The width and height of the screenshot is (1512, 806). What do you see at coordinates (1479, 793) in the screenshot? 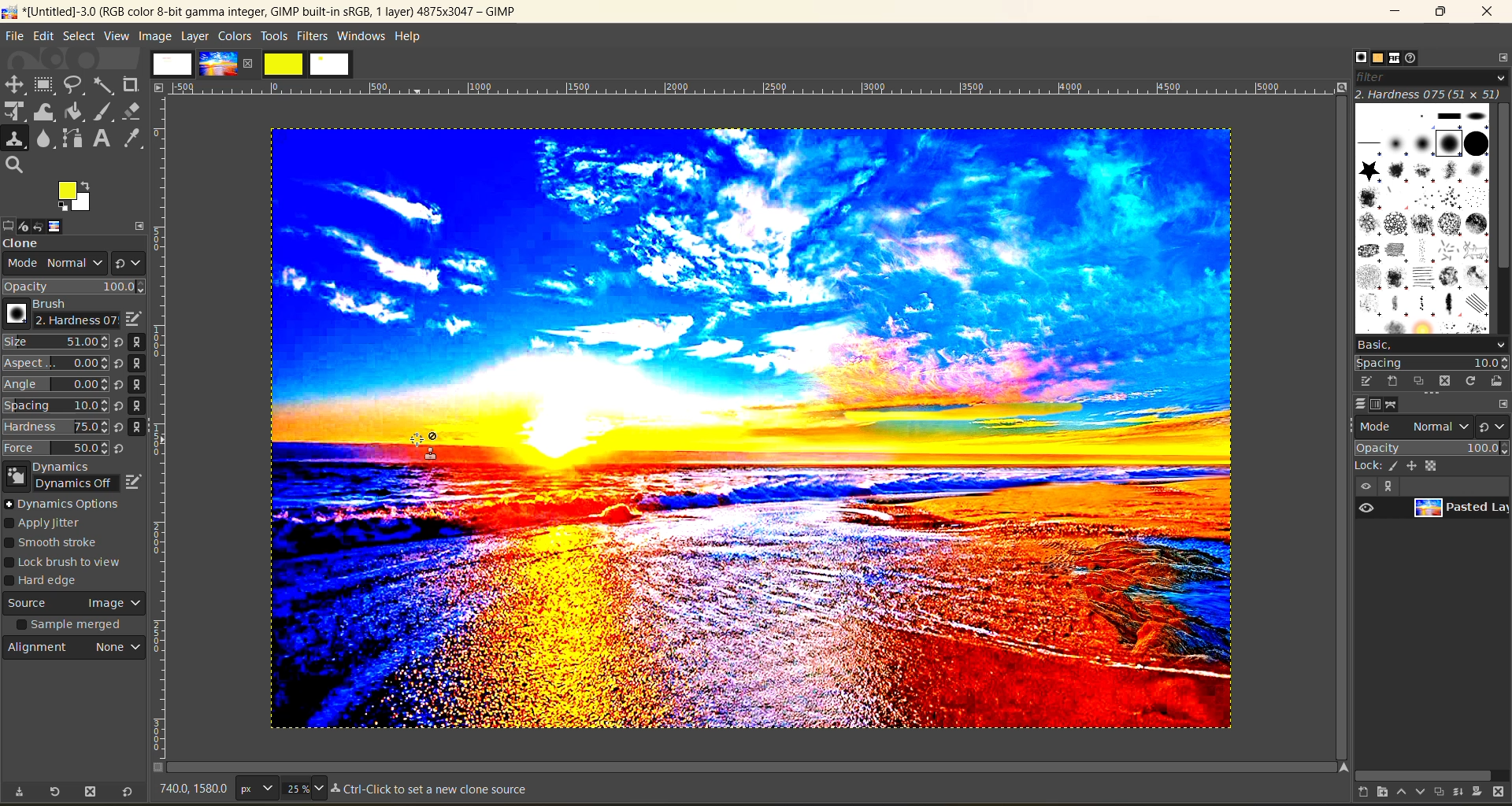
I see `add a mask` at bounding box center [1479, 793].